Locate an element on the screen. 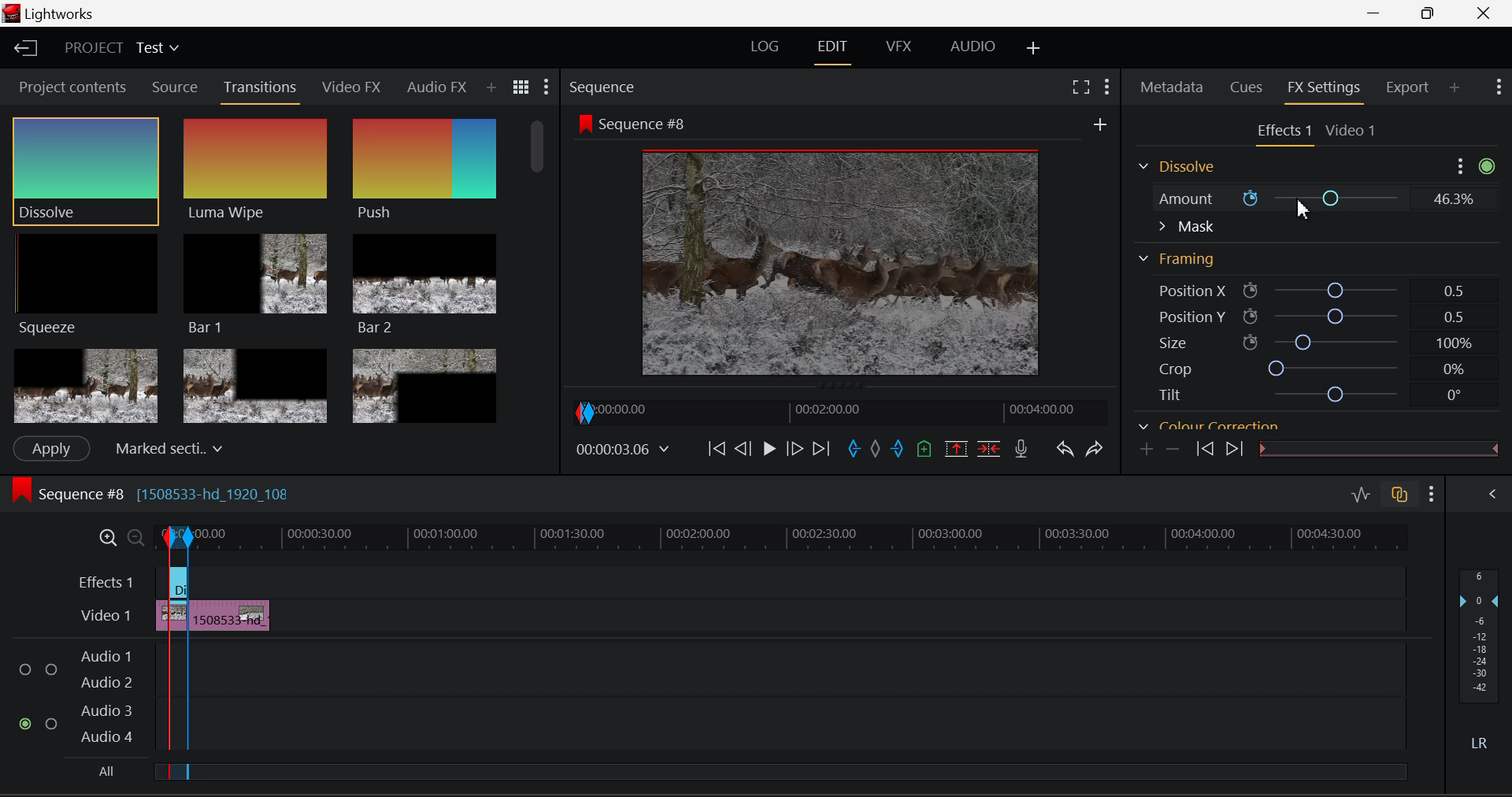  Metadata is located at coordinates (1172, 88).